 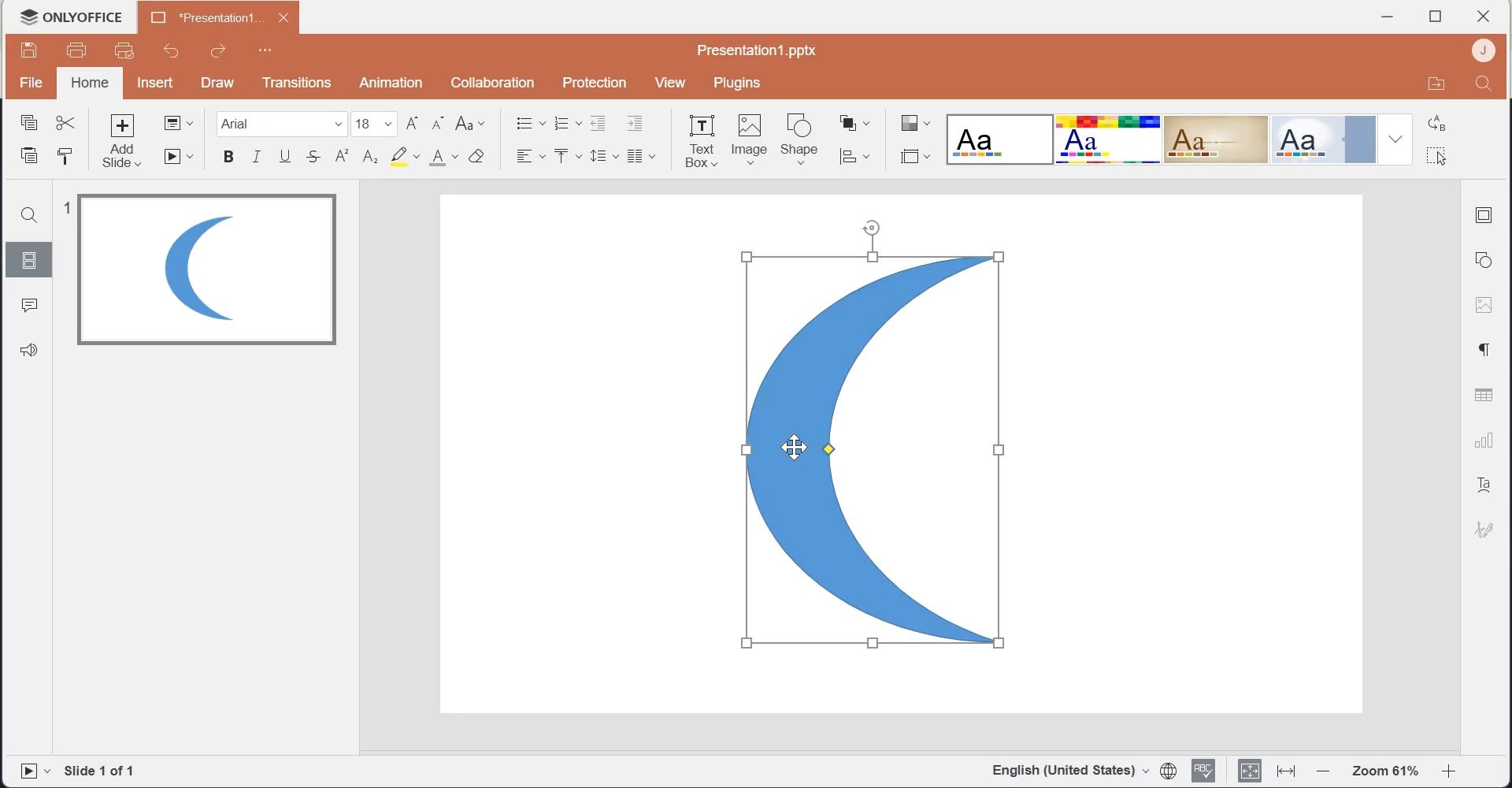 What do you see at coordinates (470, 124) in the screenshot?
I see `Change case` at bounding box center [470, 124].